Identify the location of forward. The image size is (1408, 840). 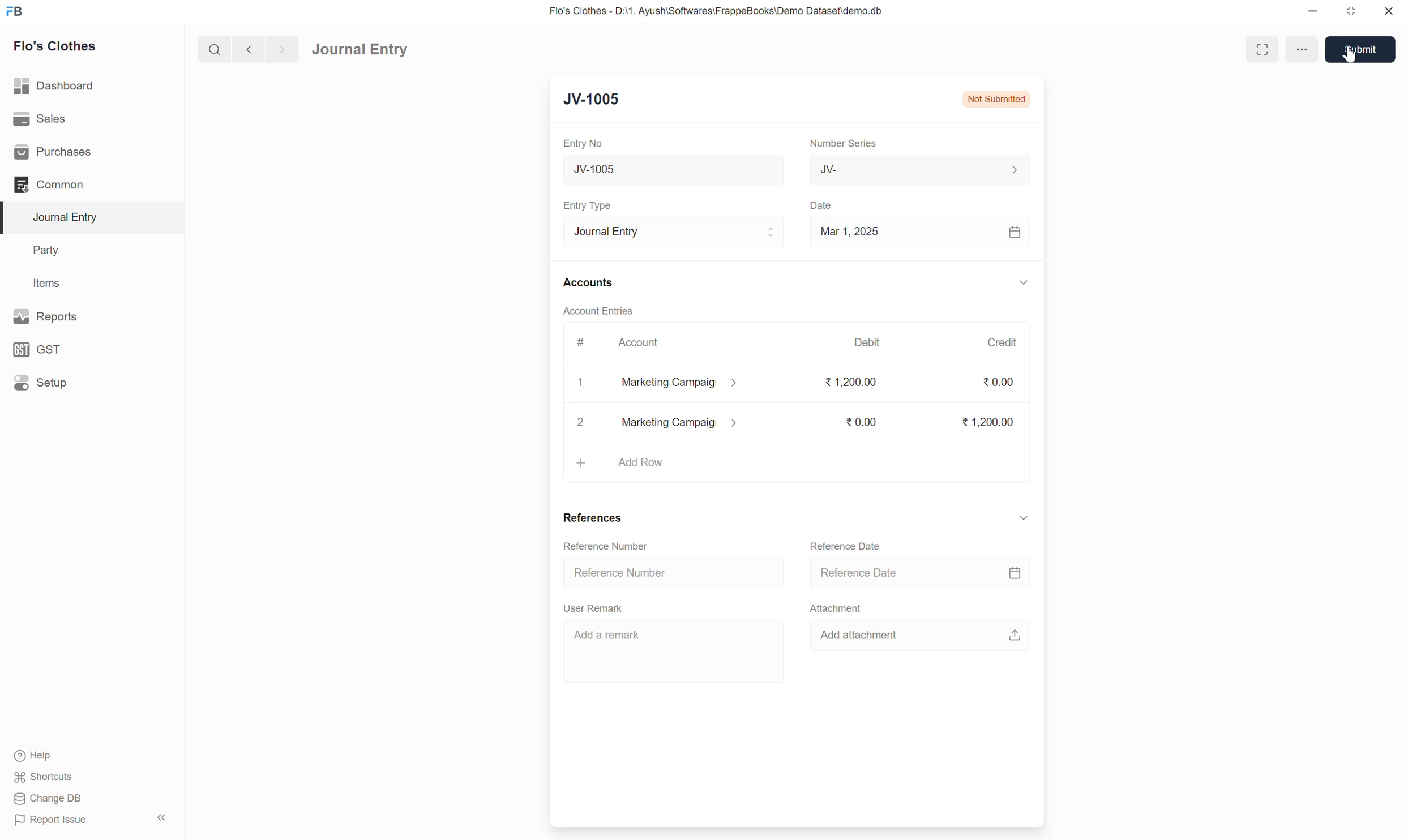
(280, 50).